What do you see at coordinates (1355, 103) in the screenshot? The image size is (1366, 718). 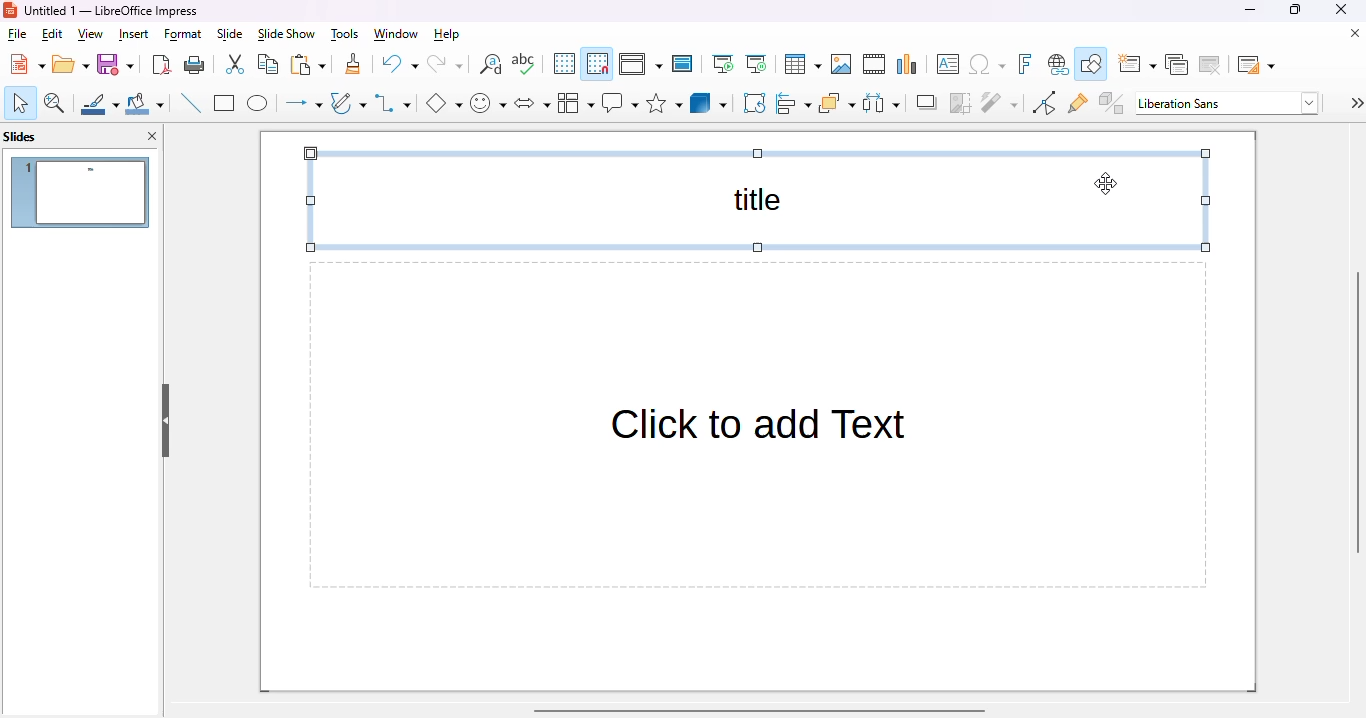 I see `settings` at bounding box center [1355, 103].